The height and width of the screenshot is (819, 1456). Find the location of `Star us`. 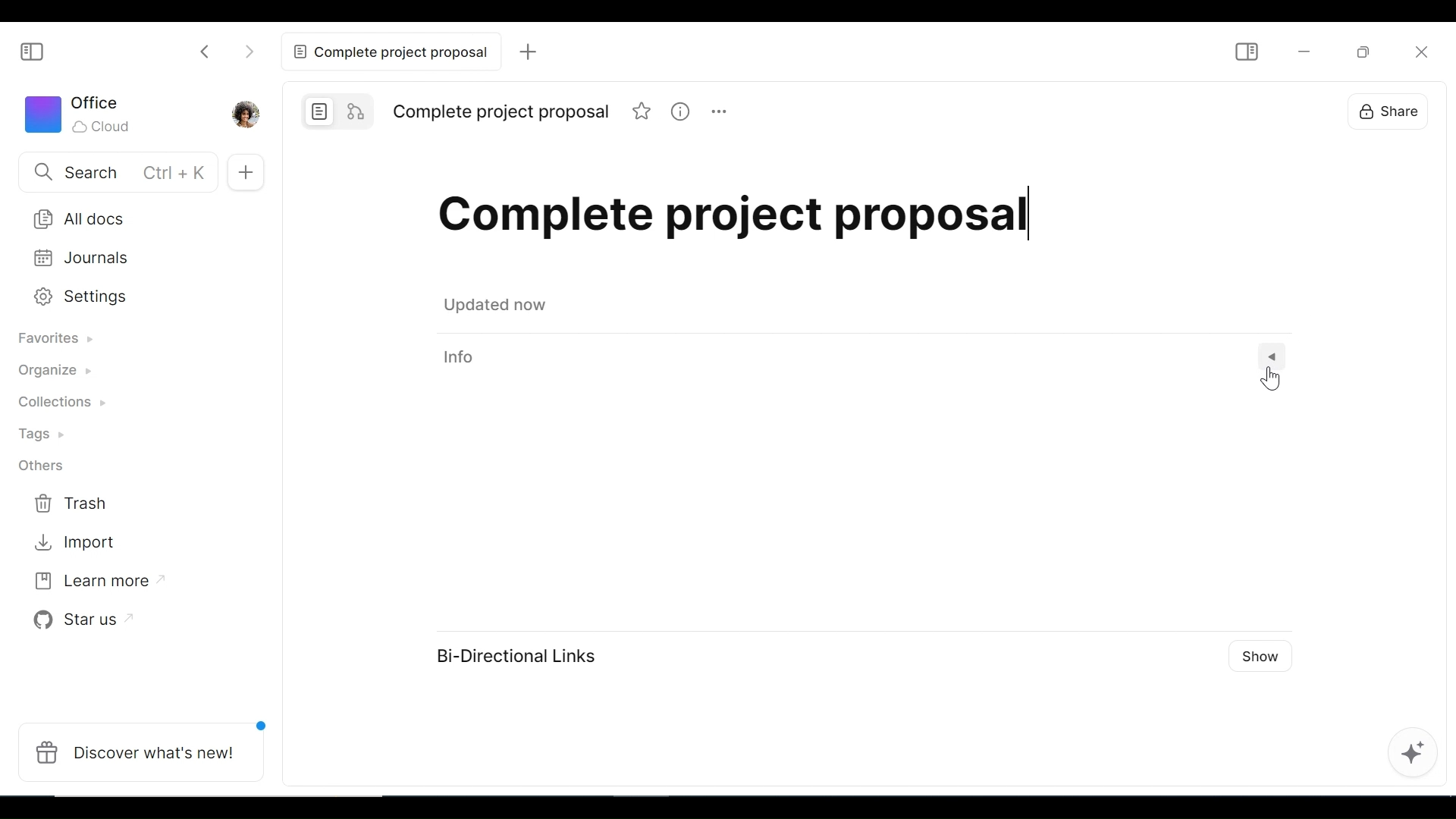

Star us is located at coordinates (83, 617).